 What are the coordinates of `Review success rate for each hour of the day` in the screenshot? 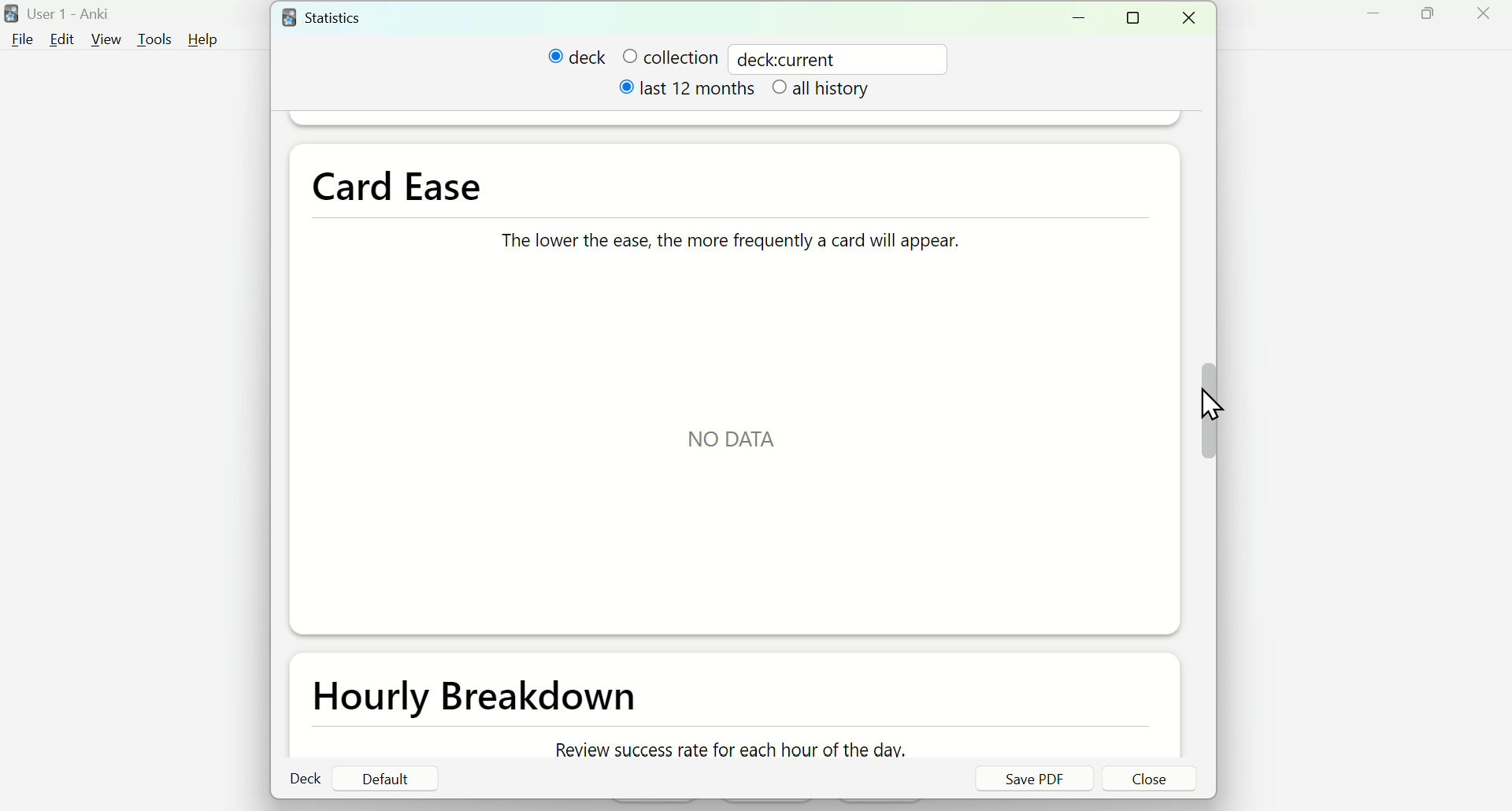 It's located at (726, 750).